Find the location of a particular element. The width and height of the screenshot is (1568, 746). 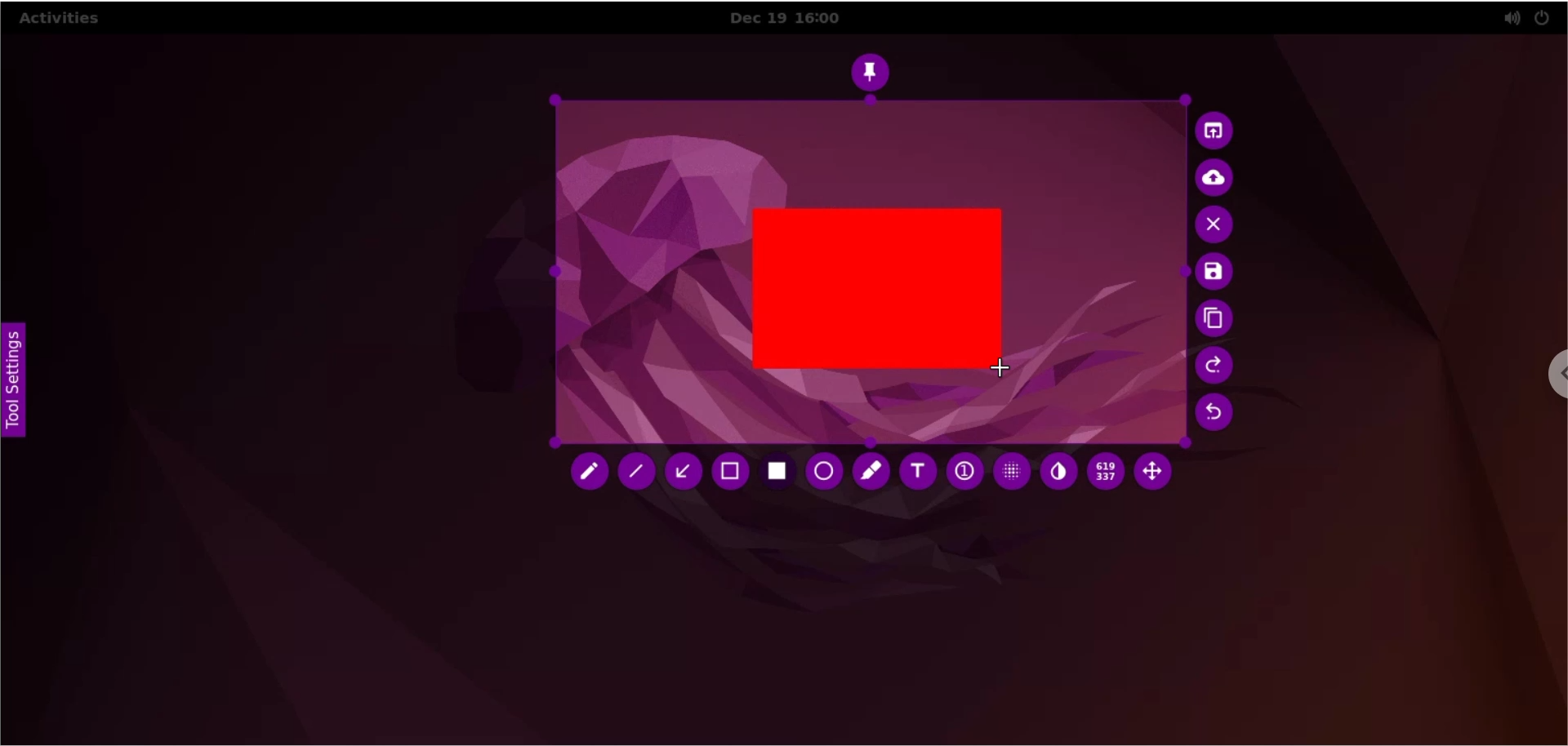

tool settings is located at coordinates (19, 380).